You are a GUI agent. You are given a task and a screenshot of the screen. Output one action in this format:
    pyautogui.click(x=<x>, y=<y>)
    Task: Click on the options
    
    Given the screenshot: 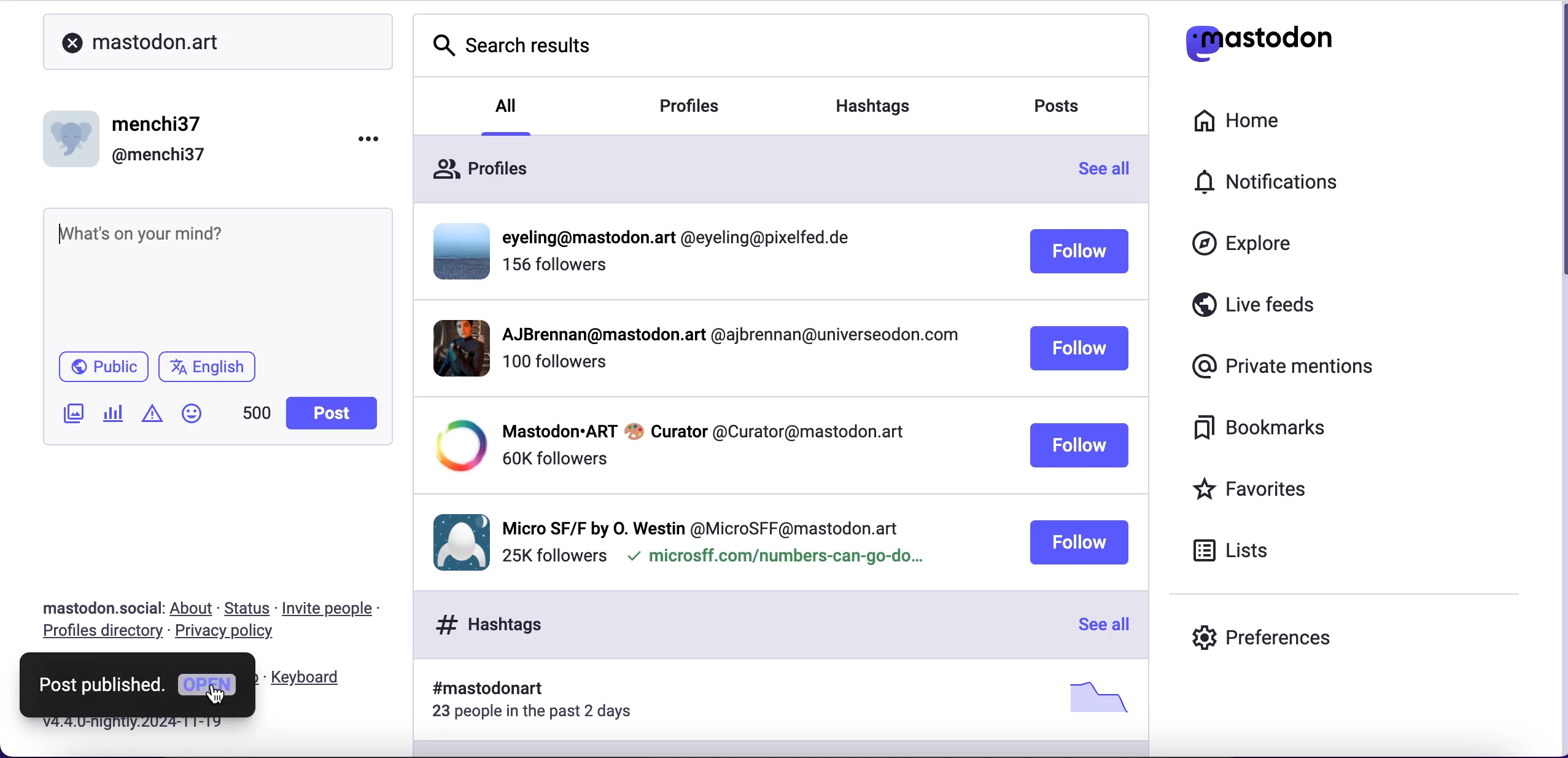 What is the action you would take?
    pyautogui.click(x=368, y=136)
    